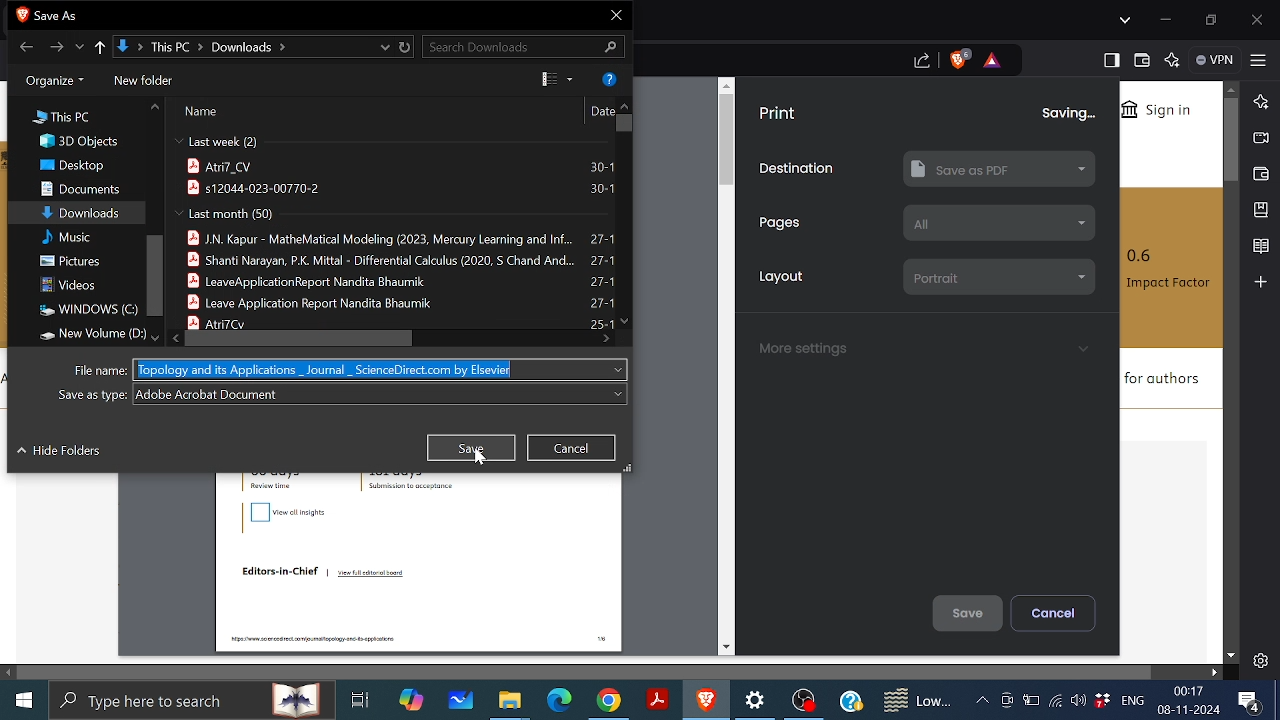 This screenshot has height=720, width=1280. What do you see at coordinates (960, 61) in the screenshot?
I see `Brave shield` at bounding box center [960, 61].